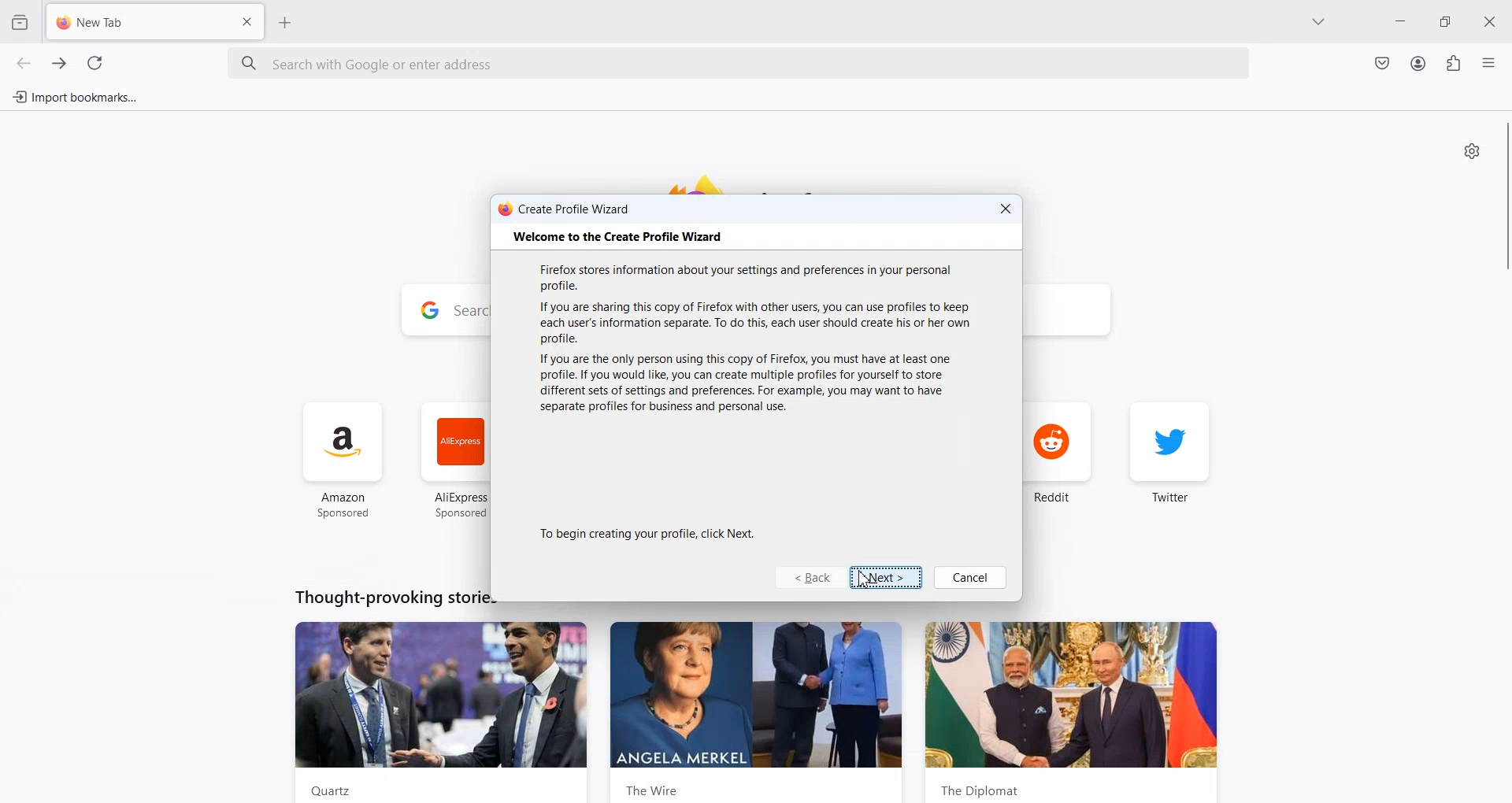  What do you see at coordinates (57, 63) in the screenshot?
I see `Go forward one page` at bounding box center [57, 63].